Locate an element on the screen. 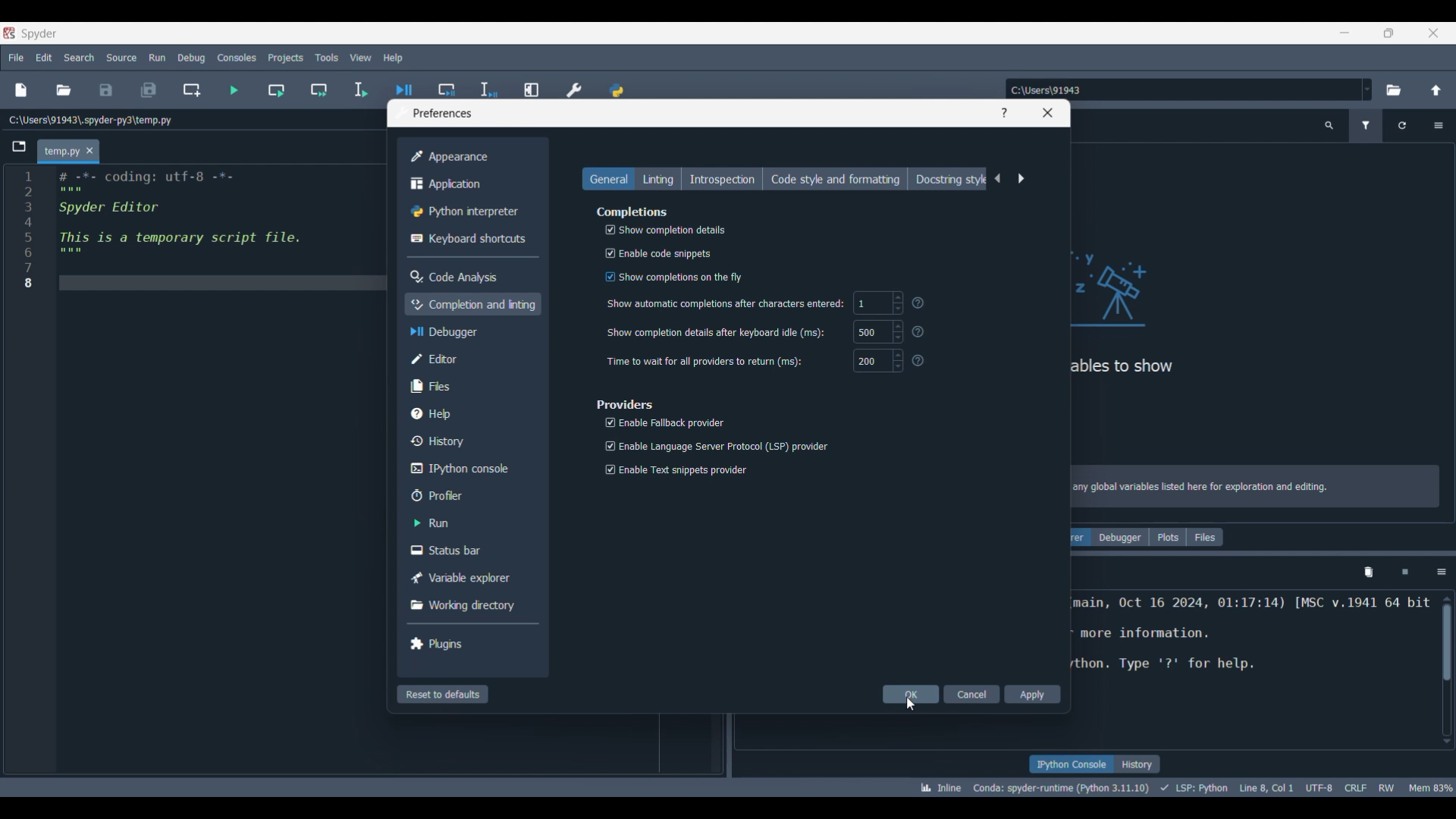 Image resolution: width=1456 pixels, height=819 pixels. Run file is located at coordinates (234, 90).